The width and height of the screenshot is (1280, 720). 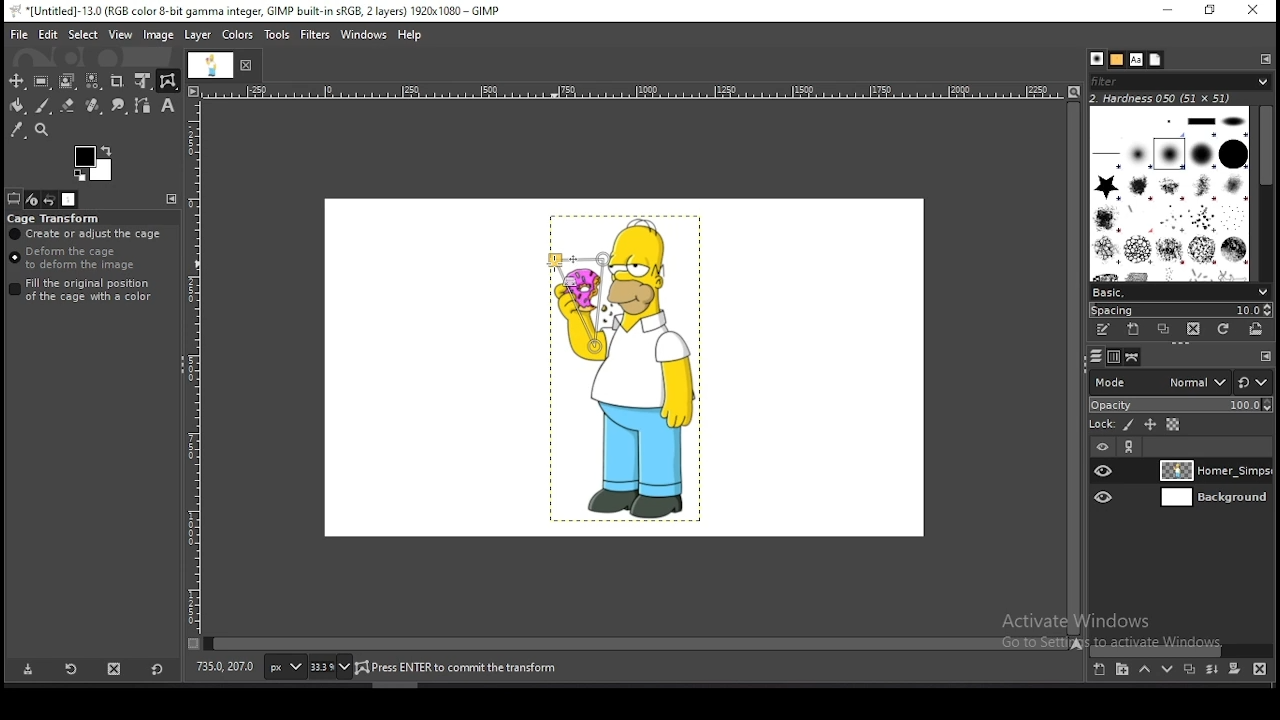 What do you see at coordinates (1097, 60) in the screenshot?
I see `brushes` at bounding box center [1097, 60].